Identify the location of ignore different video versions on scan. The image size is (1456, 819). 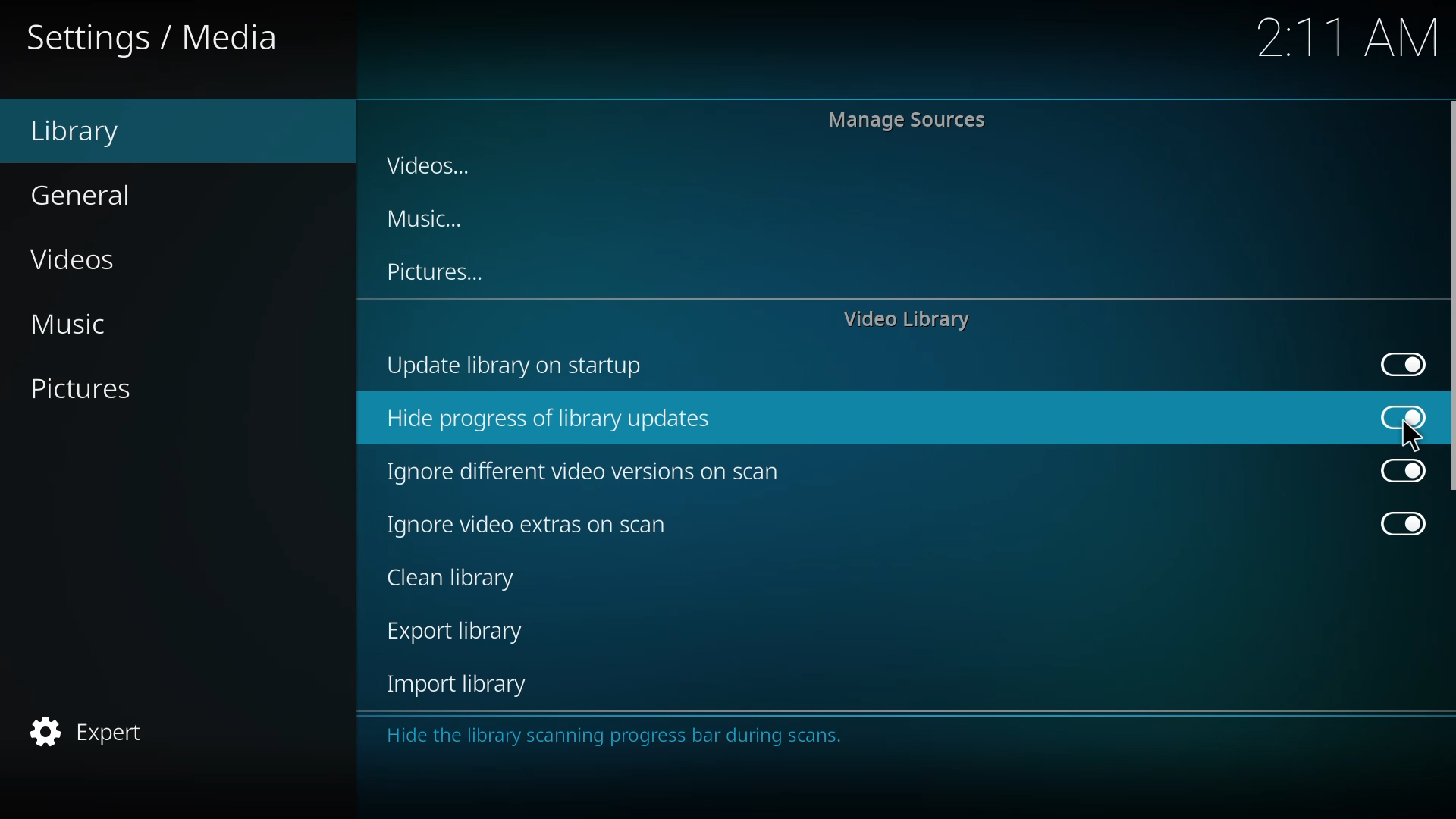
(592, 469).